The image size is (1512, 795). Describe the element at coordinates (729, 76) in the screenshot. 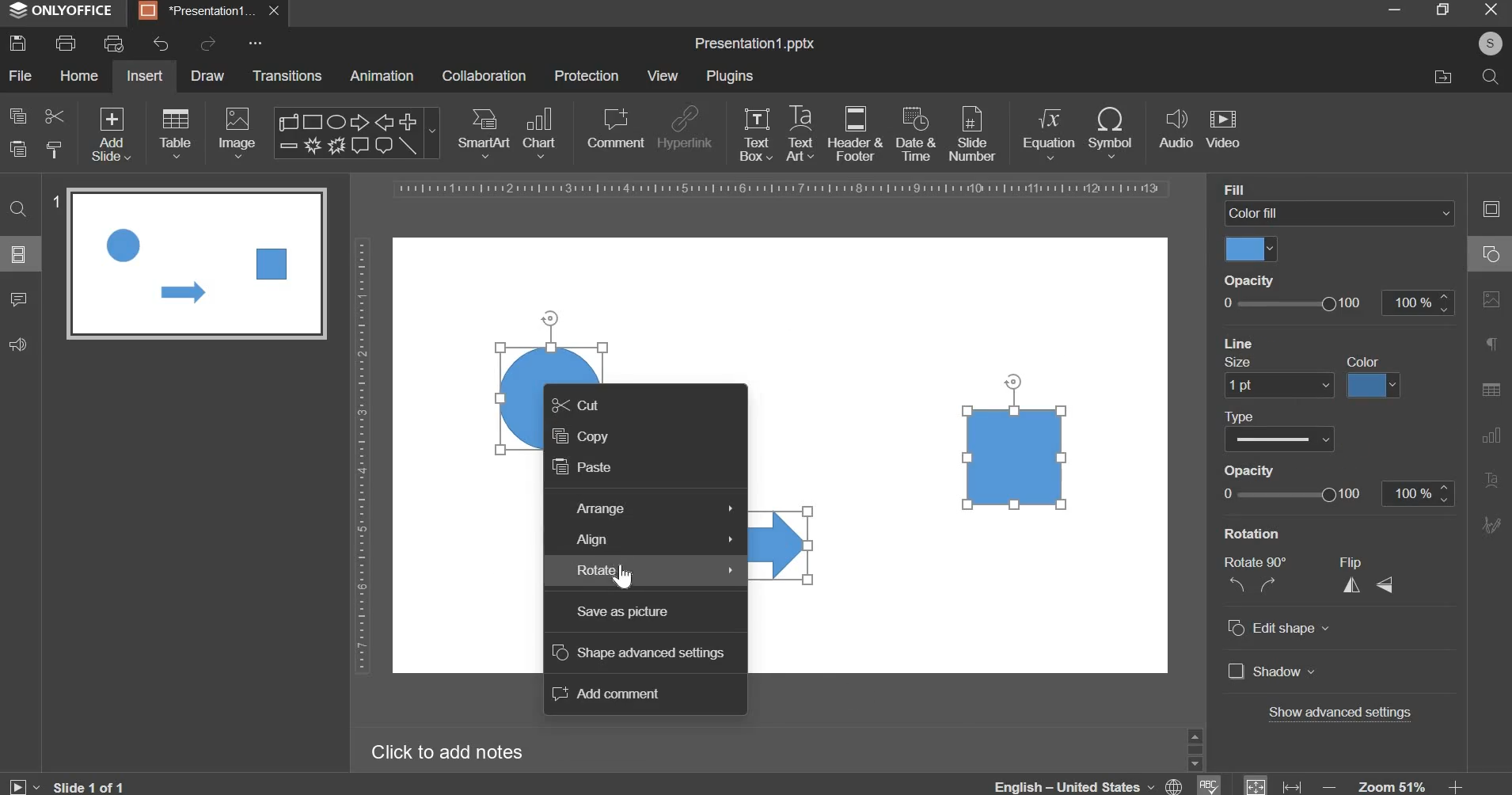

I see `plugins` at that location.